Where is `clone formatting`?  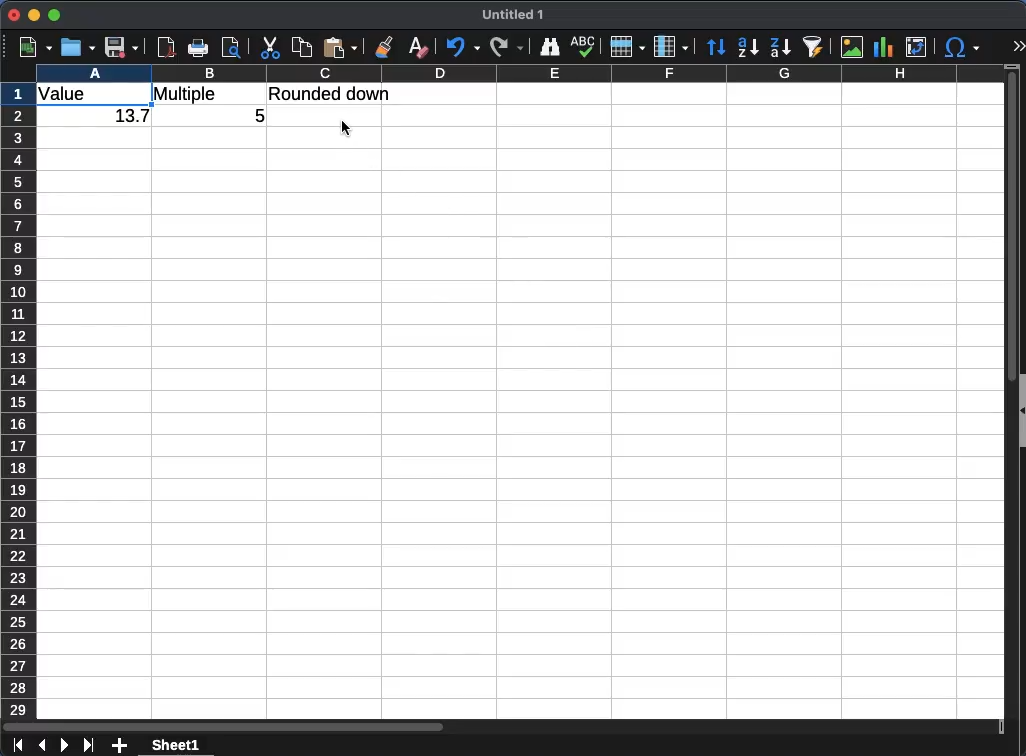
clone formatting is located at coordinates (384, 47).